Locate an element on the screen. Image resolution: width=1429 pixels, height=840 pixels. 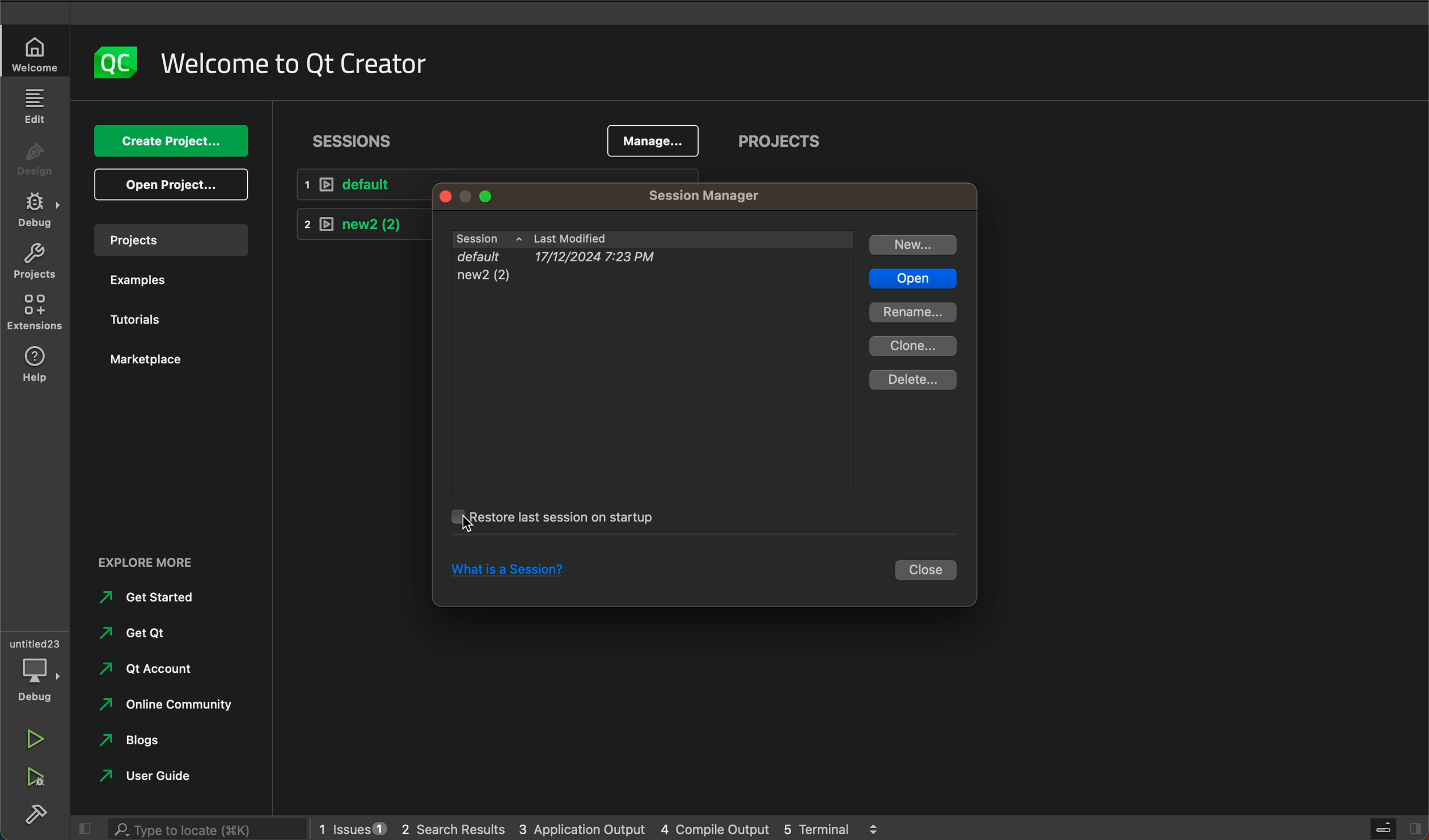
examples is located at coordinates (141, 280).